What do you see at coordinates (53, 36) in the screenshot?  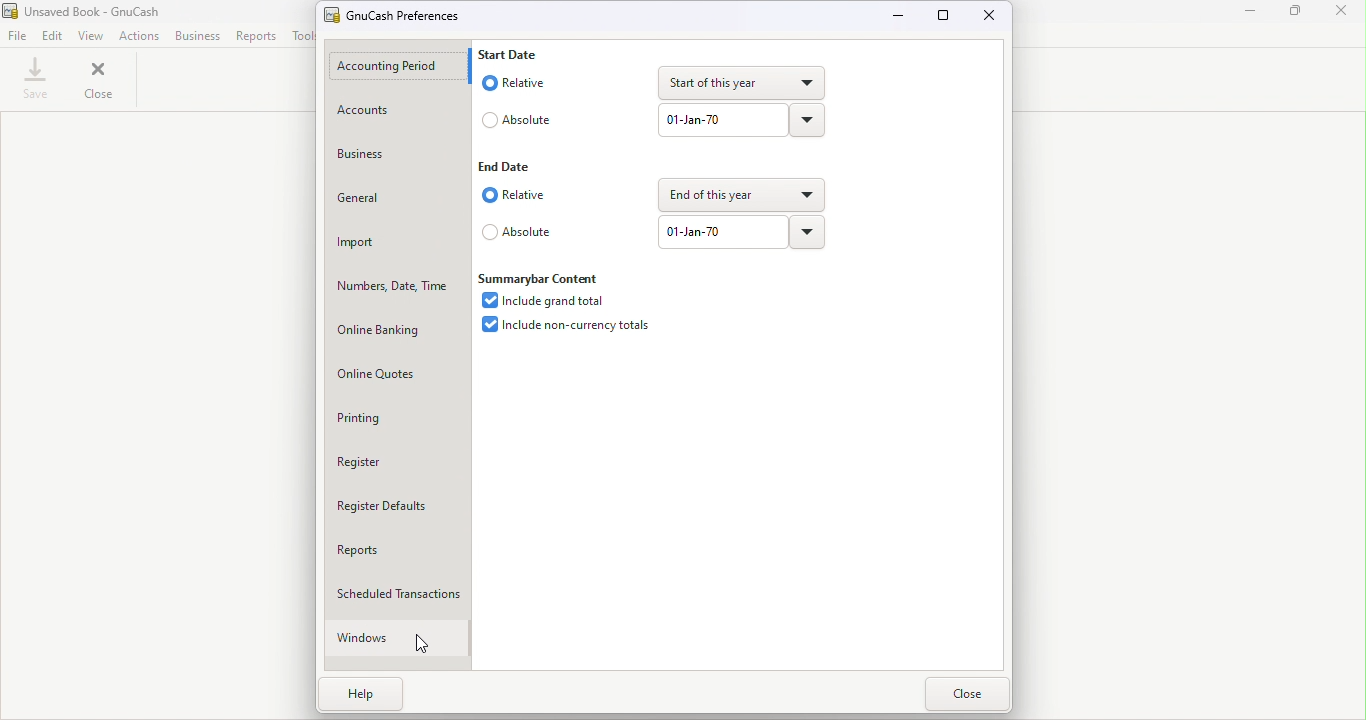 I see `Edit` at bounding box center [53, 36].